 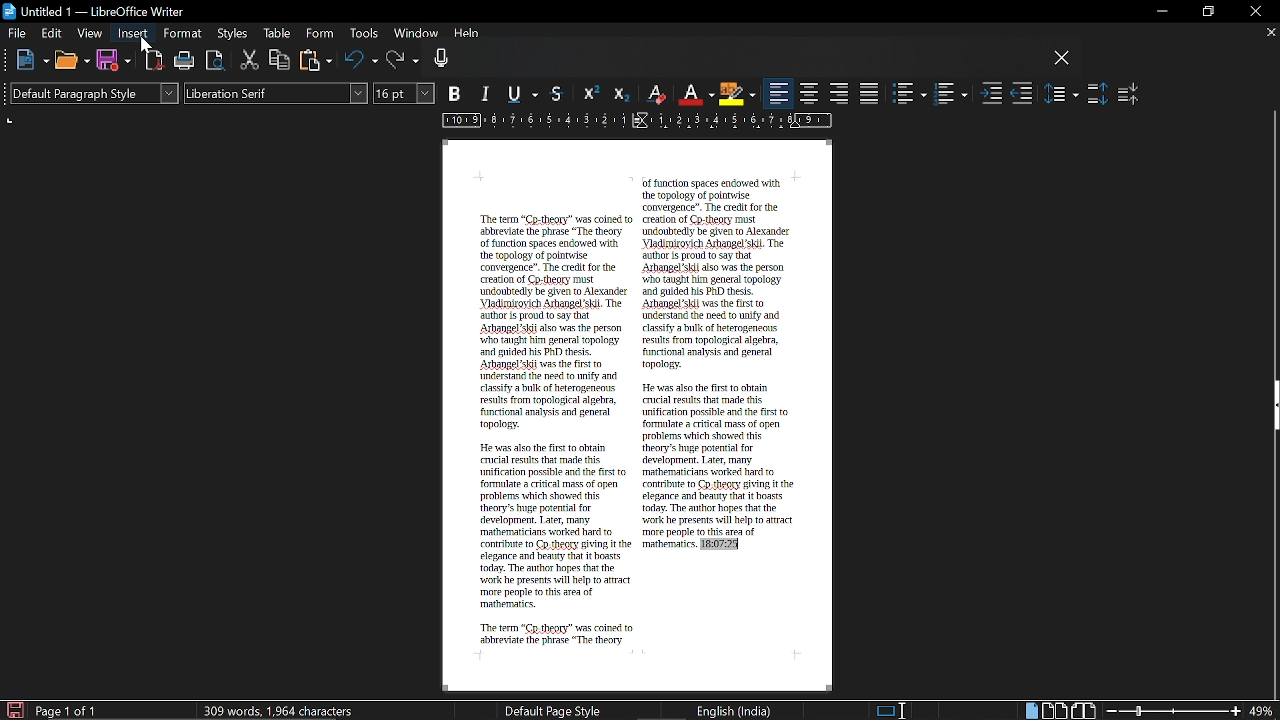 I want to click on 306 words, 1956 characters, so click(x=282, y=710).